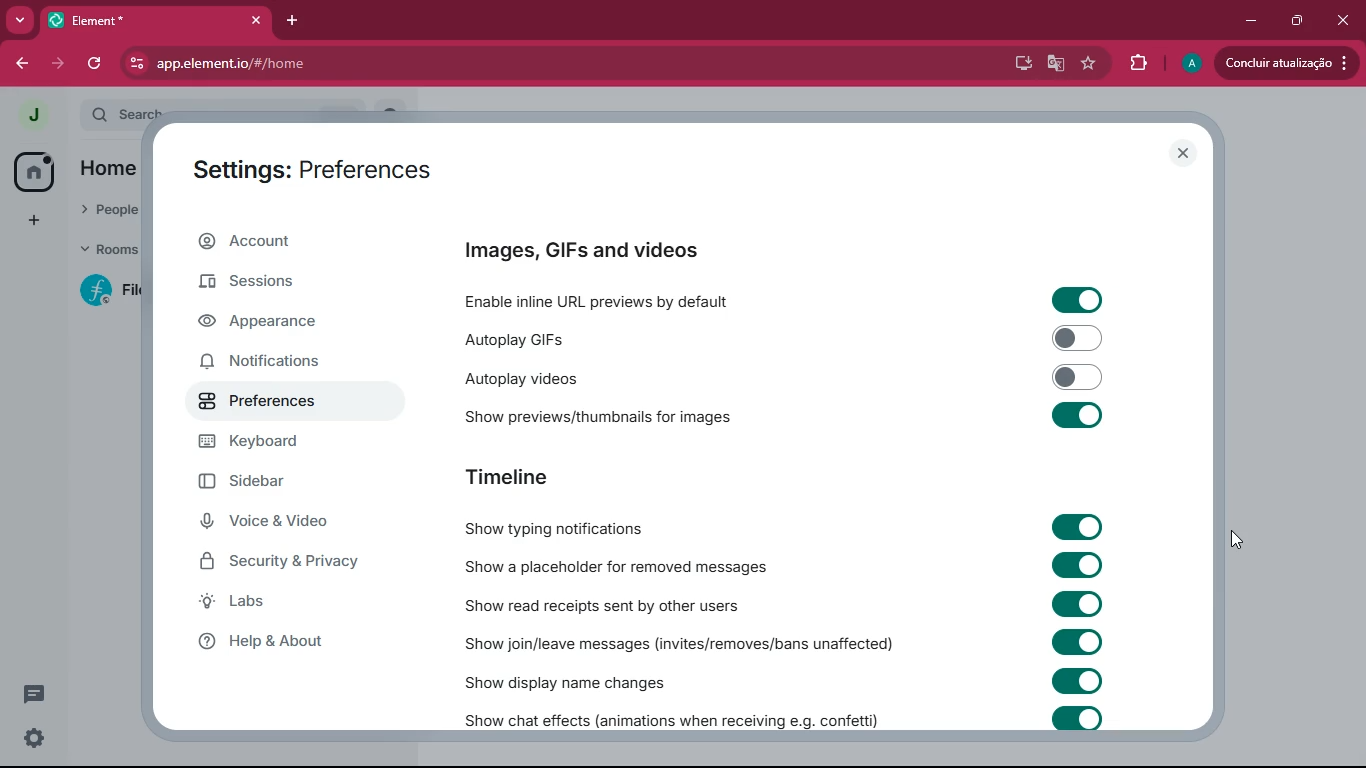 The width and height of the screenshot is (1366, 768). I want to click on toggle on/off, so click(1077, 415).